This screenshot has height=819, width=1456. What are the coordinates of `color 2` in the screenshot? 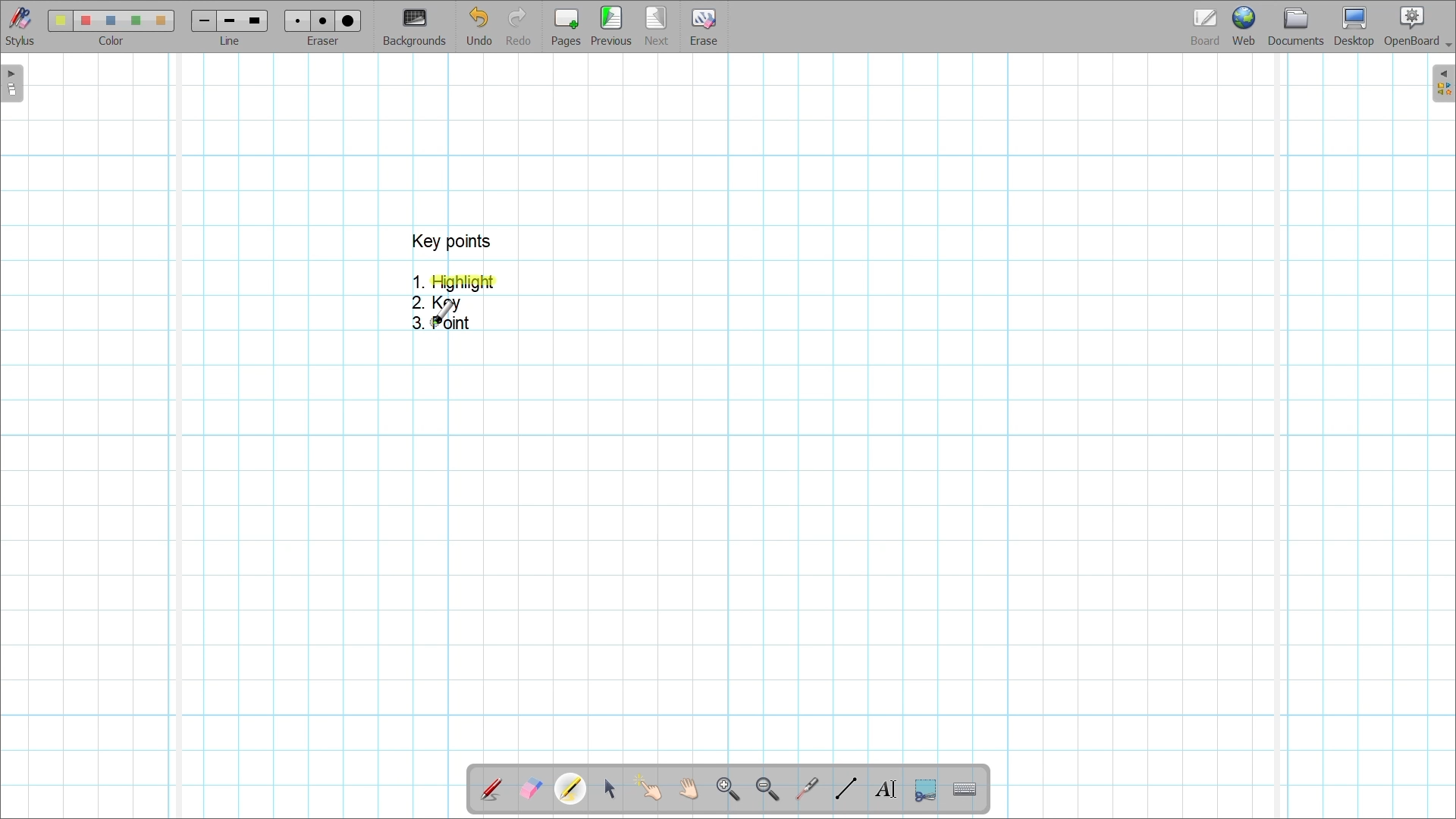 It's located at (85, 21).